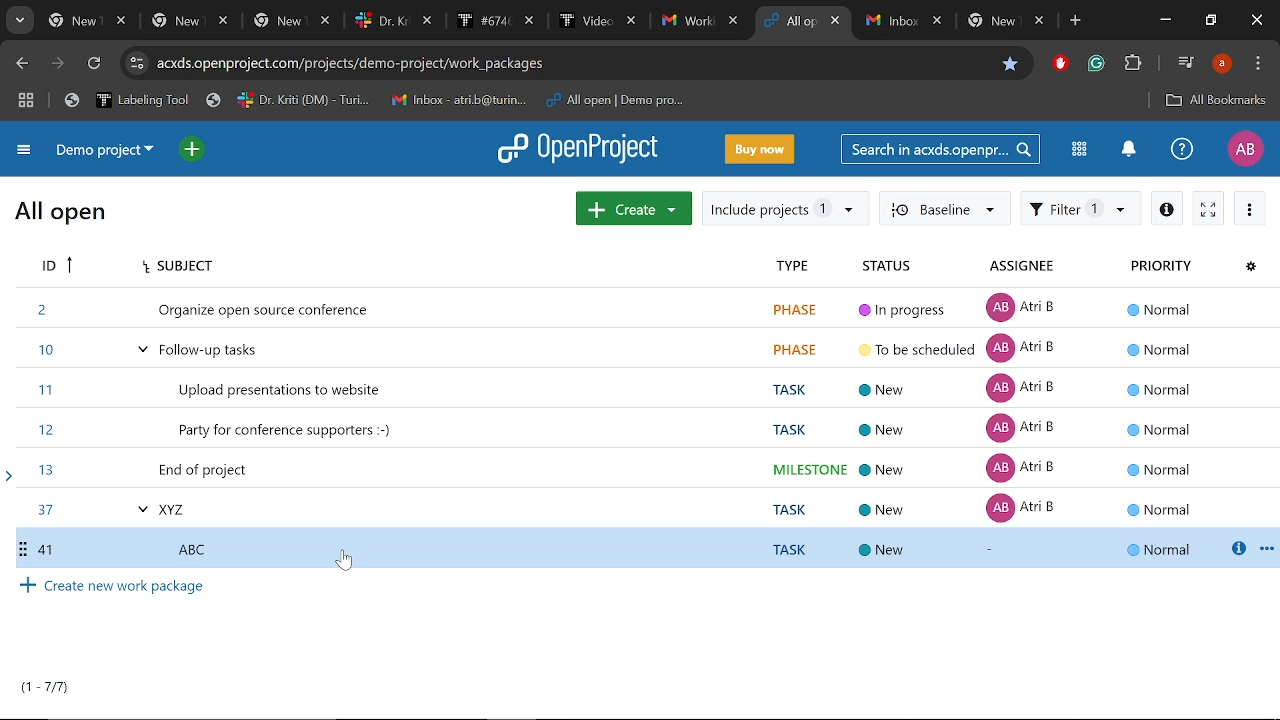 The image size is (1280, 720). I want to click on All bookmarks, so click(1217, 100).